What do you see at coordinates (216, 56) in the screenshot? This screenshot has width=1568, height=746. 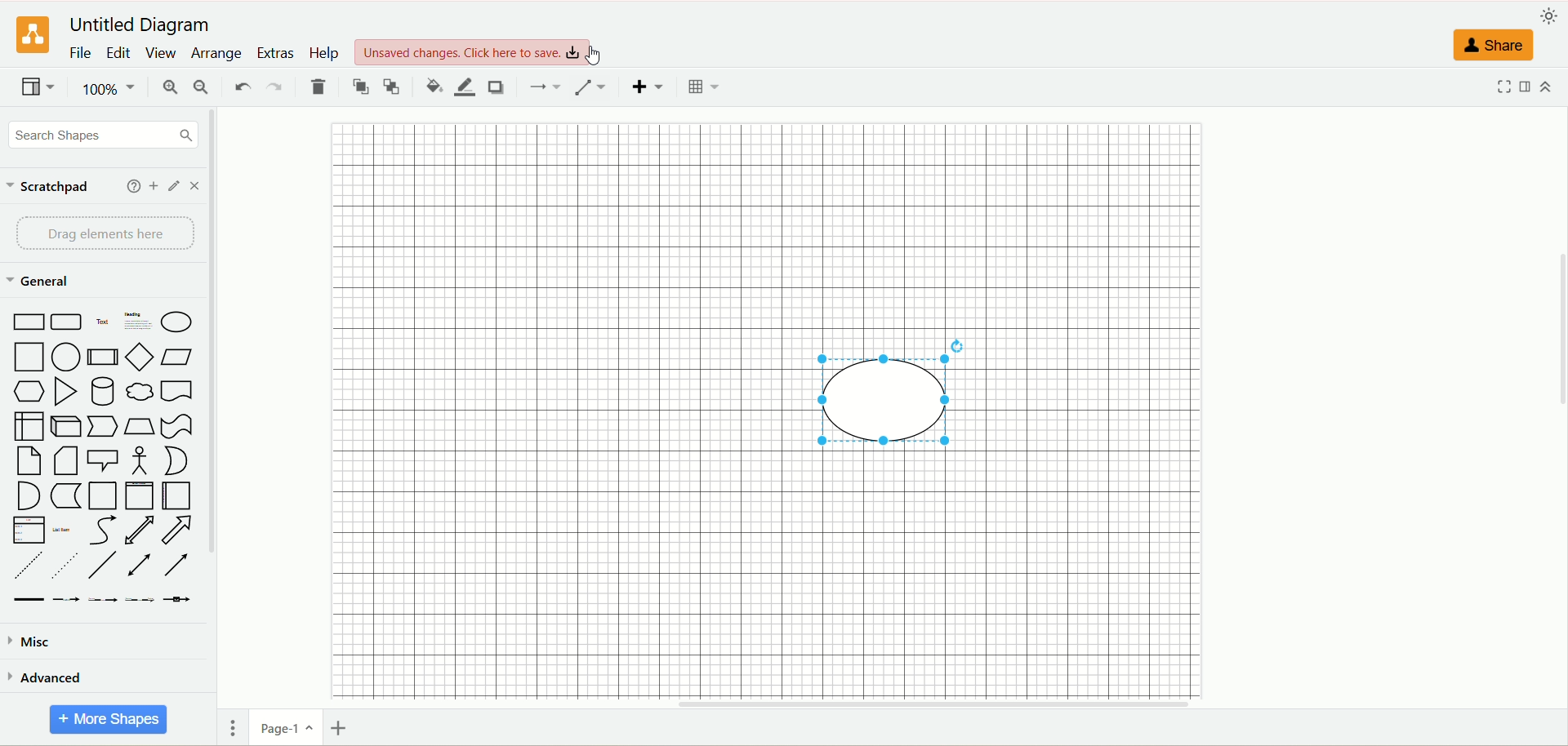 I see `arrange` at bounding box center [216, 56].